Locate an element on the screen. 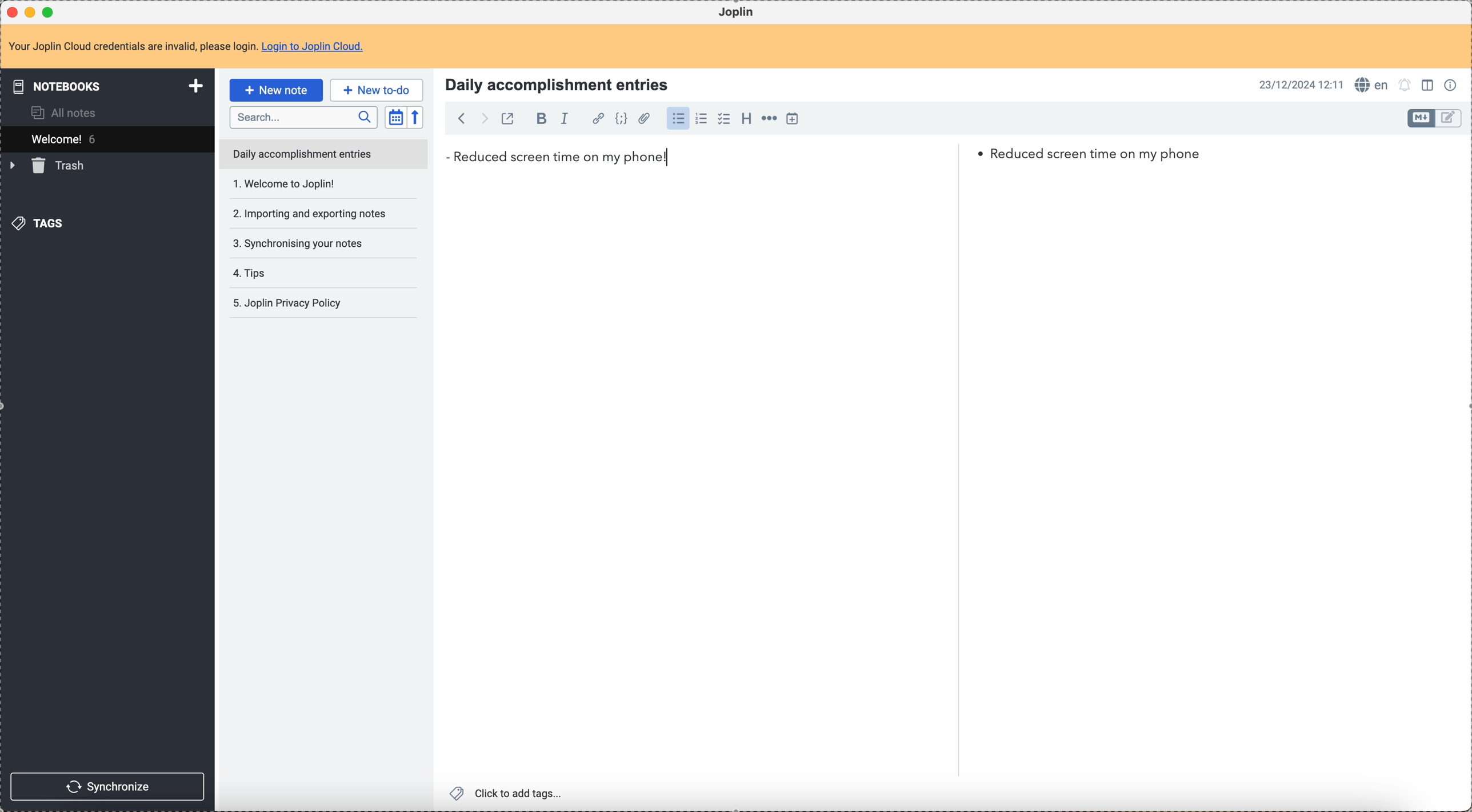 The height and width of the screenshot is (812, 1472). 5. Joplin privacy policy is located at coordinates (289, 304).